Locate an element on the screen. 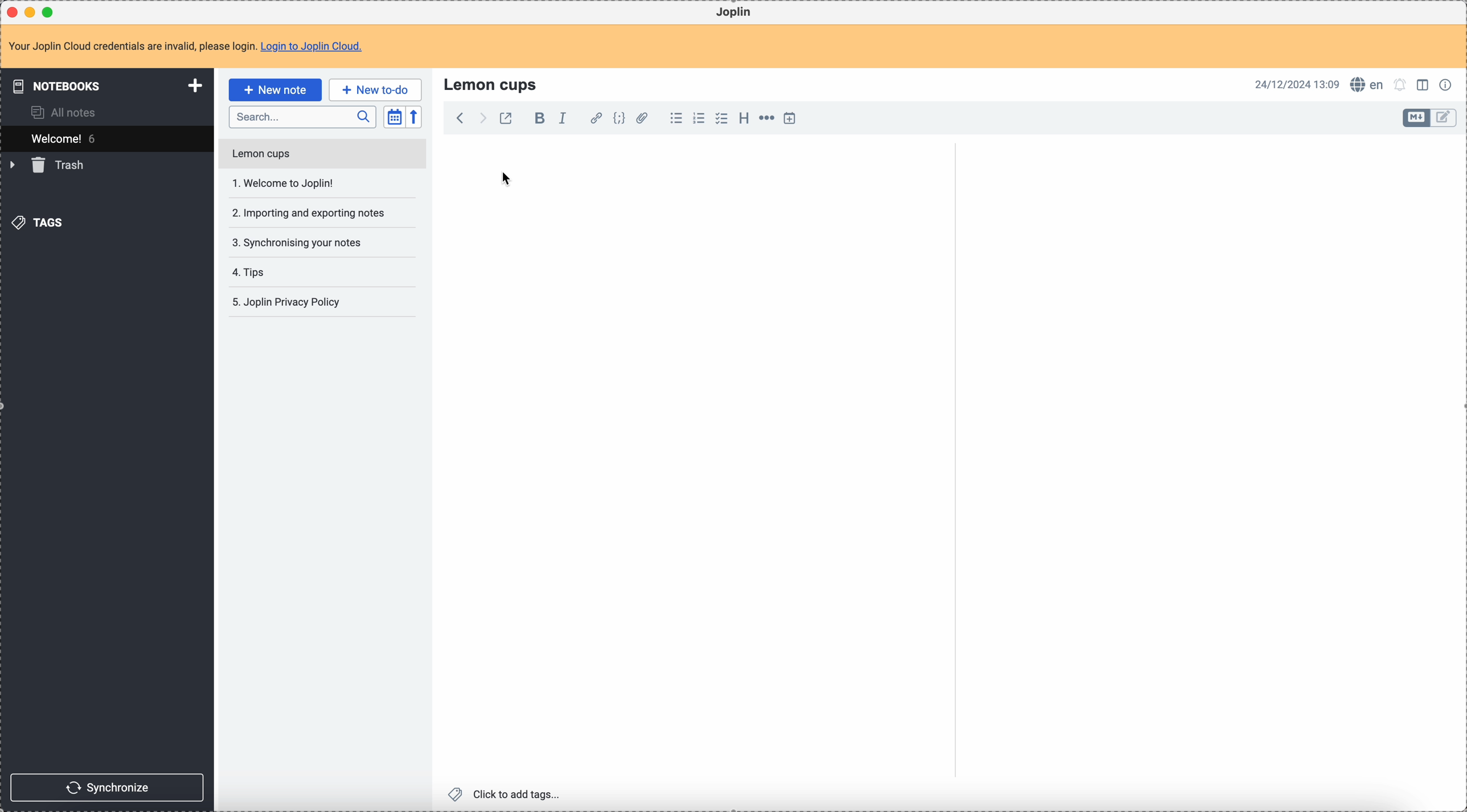 Image resolution: width=1467 pixels, height=812 pixels. synchronising your notes is located at coordinates (296, 241).